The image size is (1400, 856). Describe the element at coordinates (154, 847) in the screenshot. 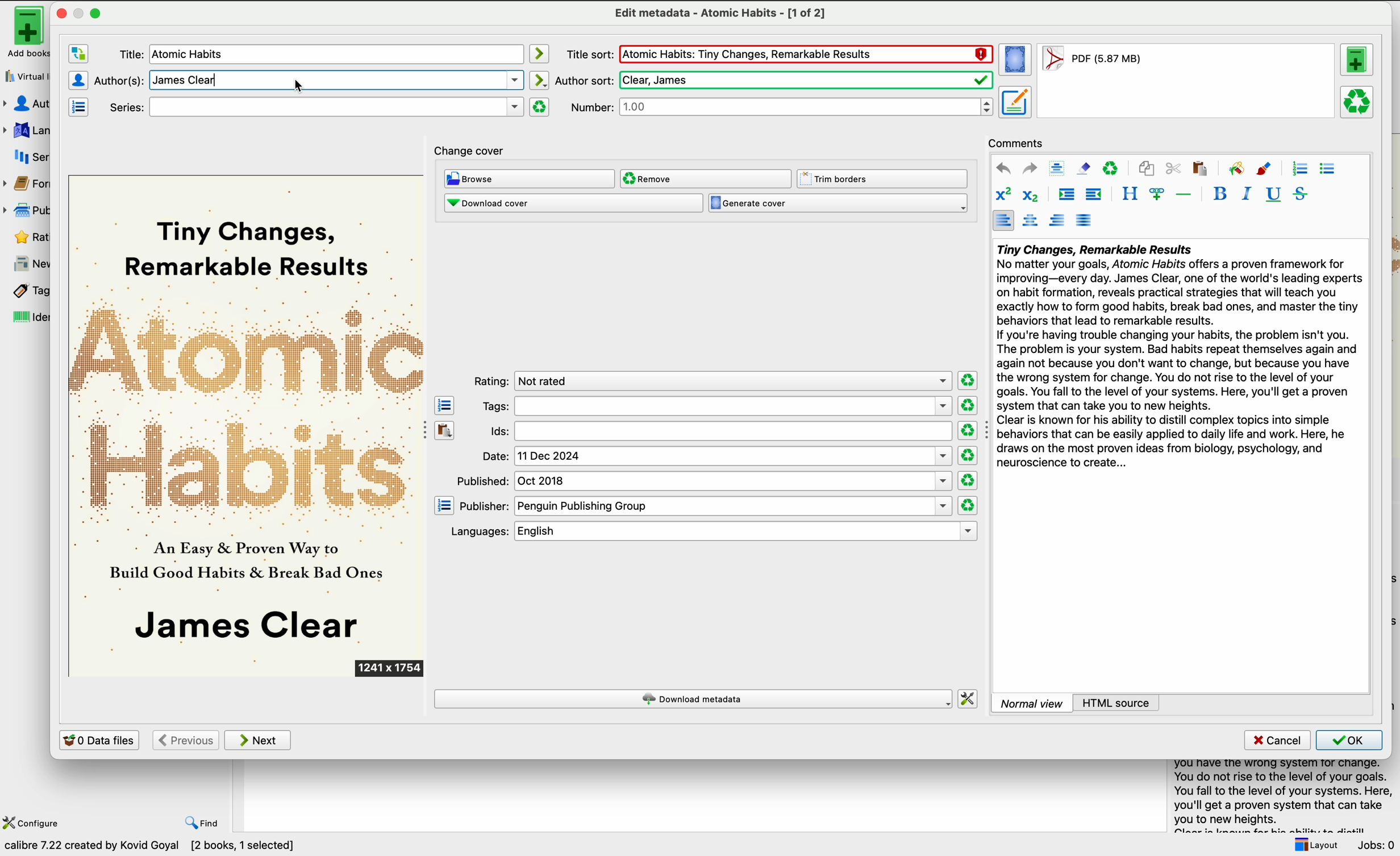

I see `data` at that location.